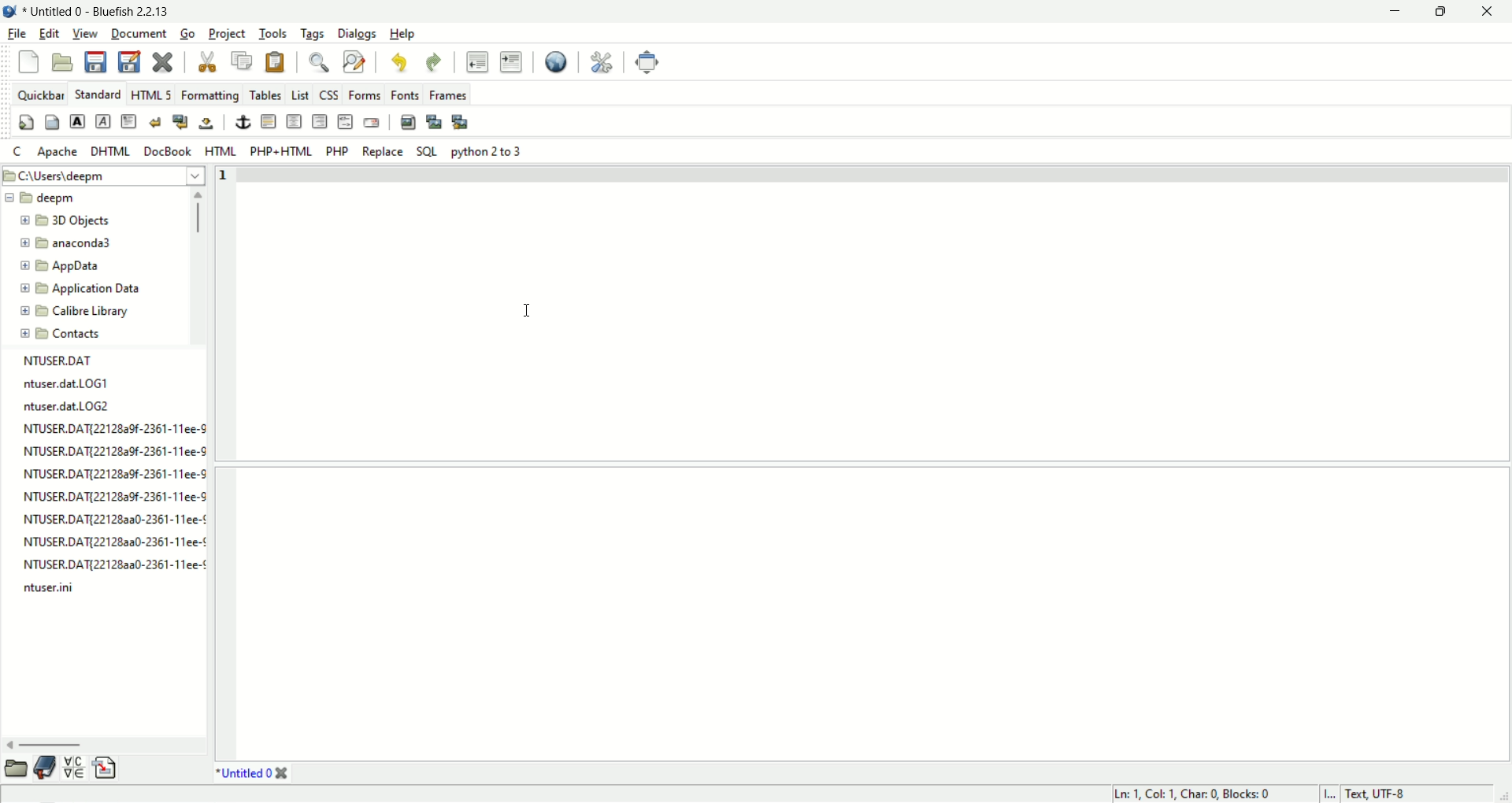  What do you see at coordinates (14, 768) in the screenshot?
I see `file browser` at bounding box center [14, 768].